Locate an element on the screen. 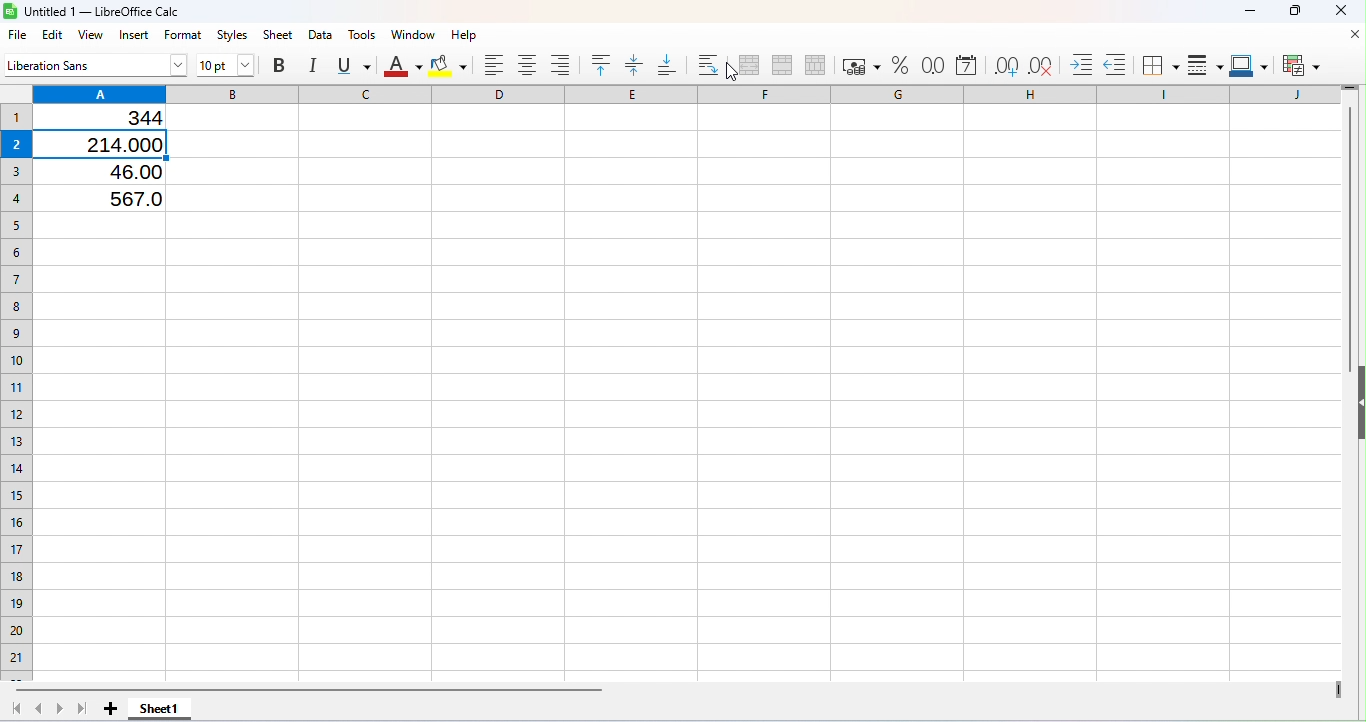 This screenshot has height=722, width=1366. Increase indent is located at coordinates (1075, 60).